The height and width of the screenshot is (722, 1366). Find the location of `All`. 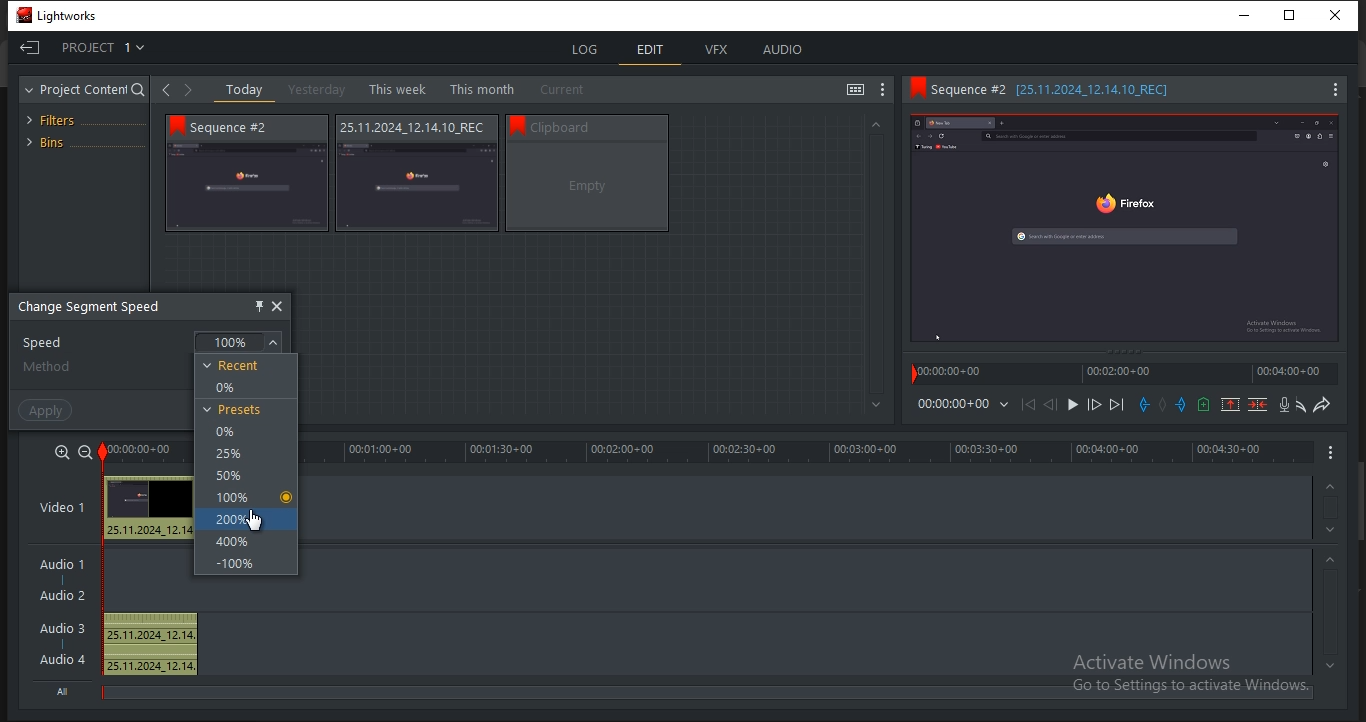

All is located at coordinates (65, 691).